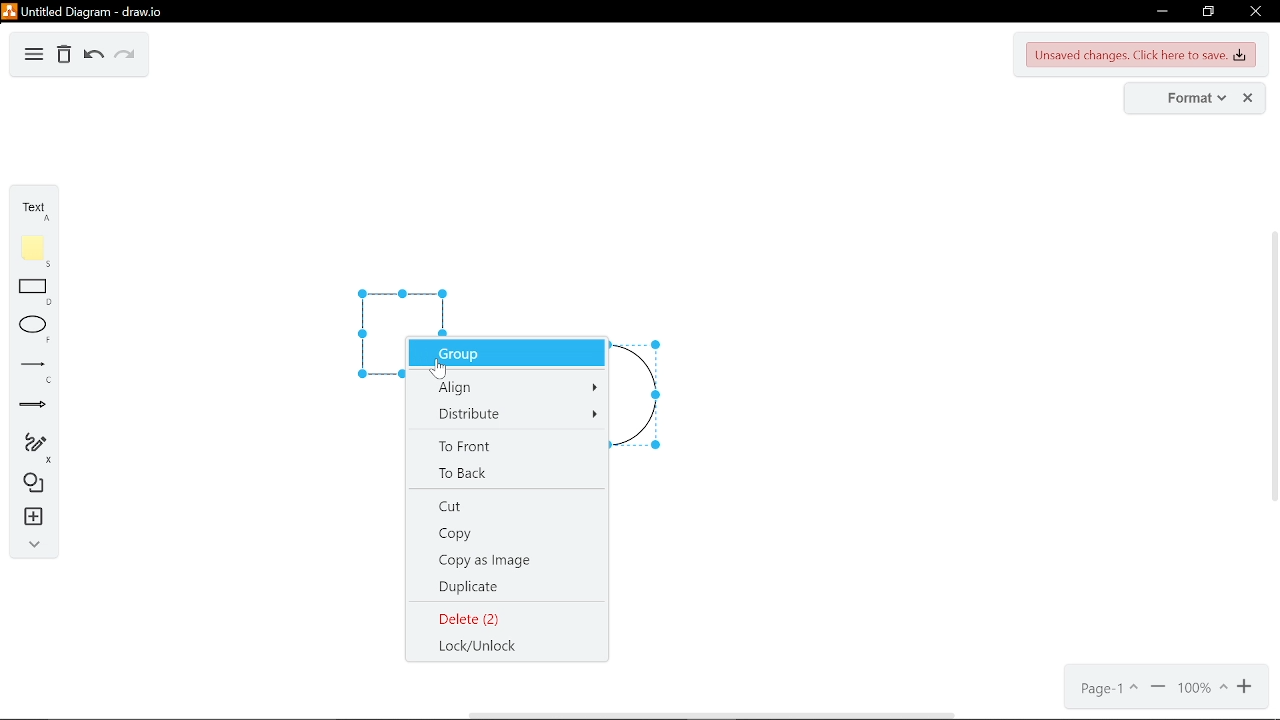 This screenshot has height=720, width=1280. What do you see at coordinates (509, 353) in the screenshot?
I see `group` at bounding box center [509, 353].